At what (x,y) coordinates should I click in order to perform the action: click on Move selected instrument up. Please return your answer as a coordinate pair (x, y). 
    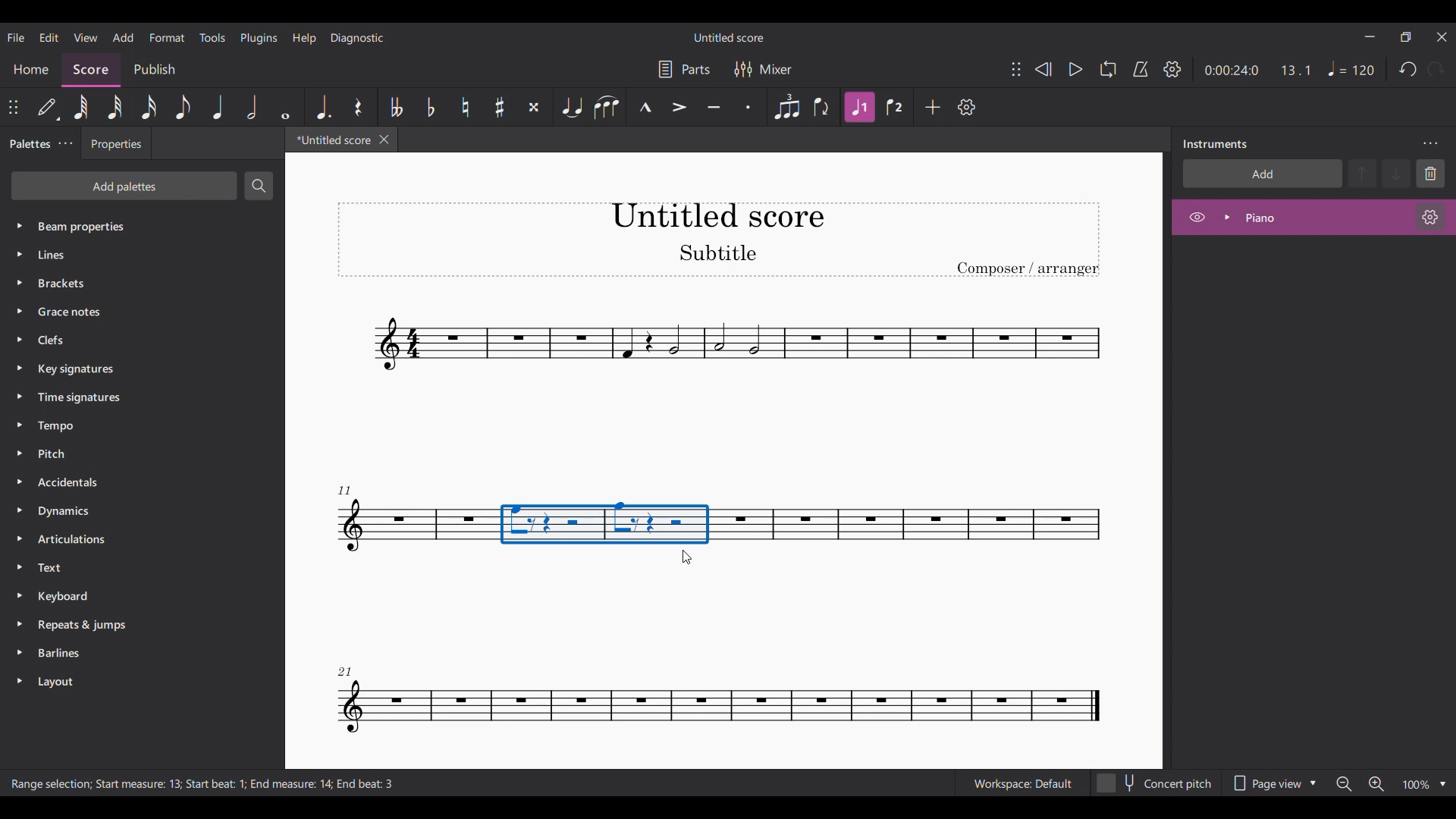
    Looking at the image, I should click on (1364, 172).